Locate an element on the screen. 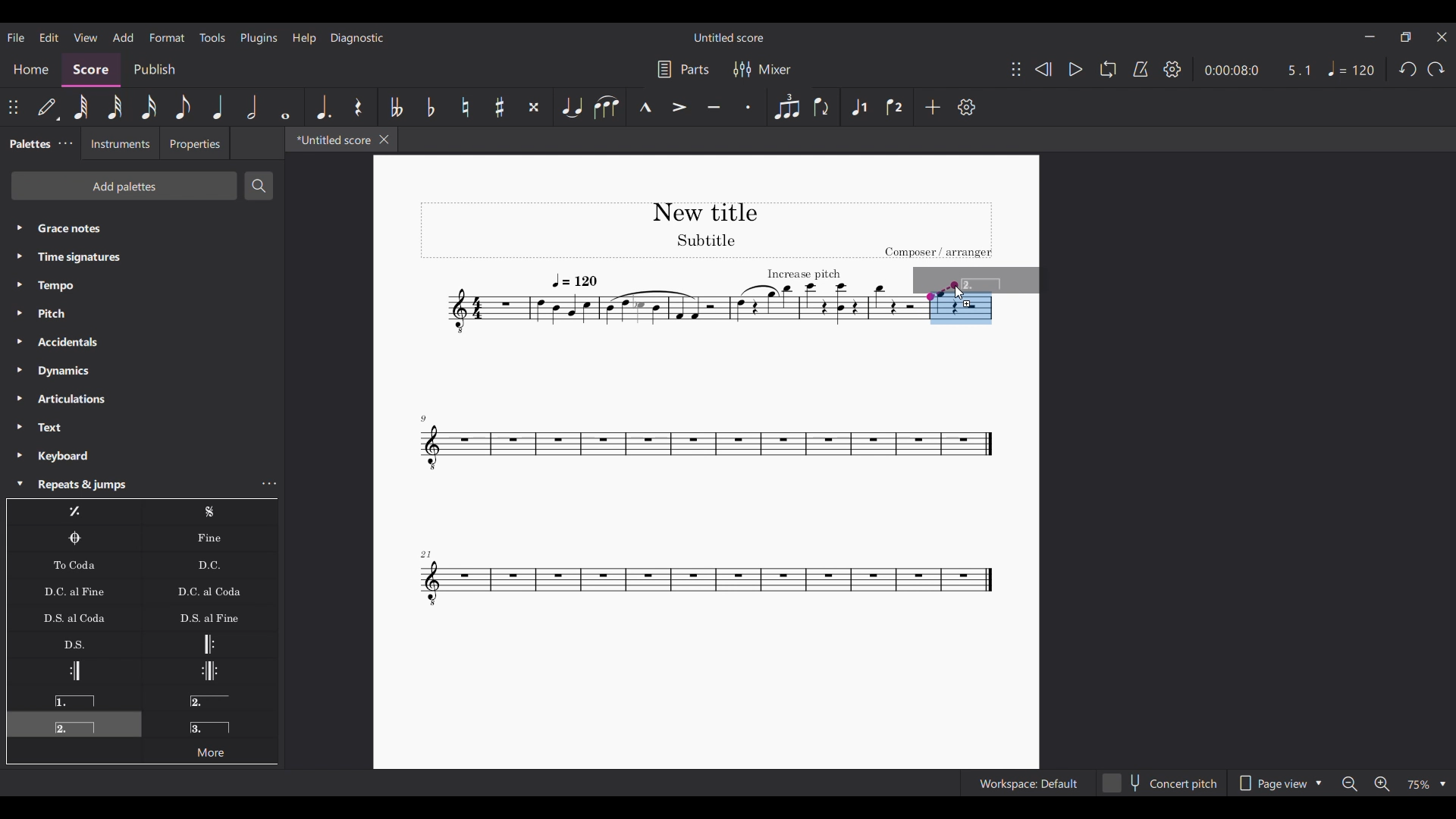 This screenshot has width=1456, height=819. To Coda is located at coordinates (74, 565).